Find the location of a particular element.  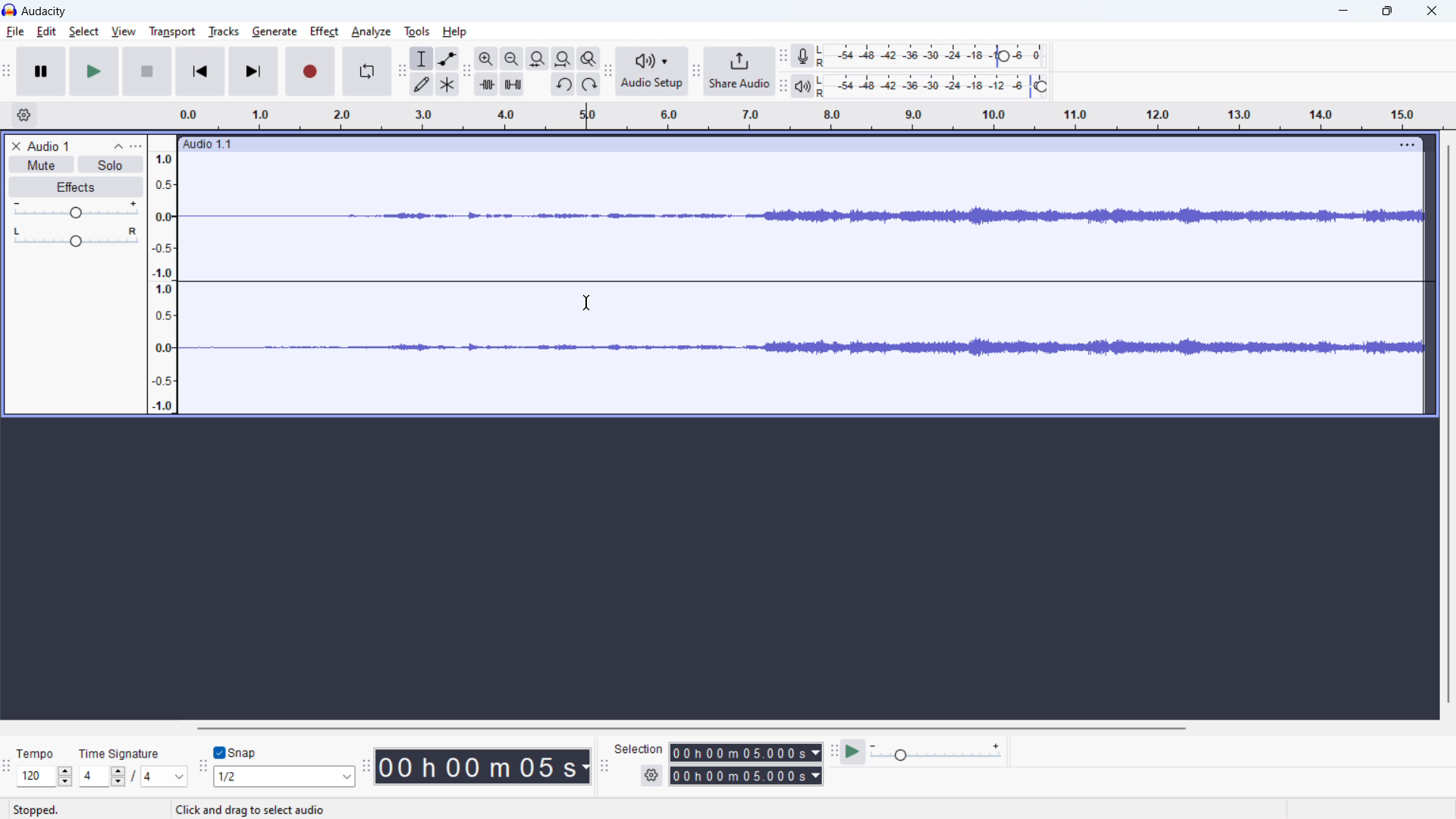

toggle snap is located at coordinates (234, 752).